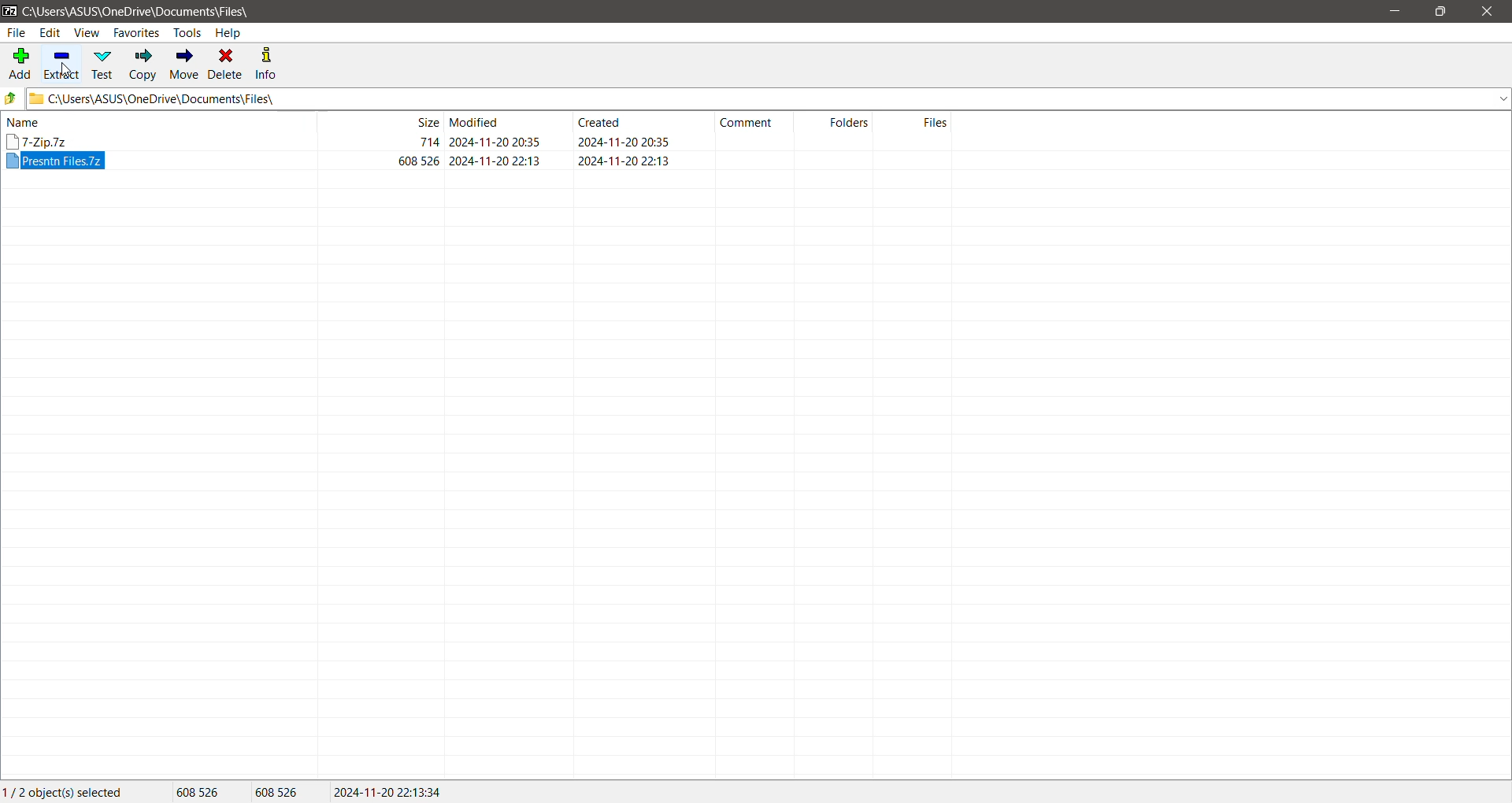 This screenshot has height=803, width=1512. What do you see at coordinates (187, 33) in the screenshot?
I see `Tools` at bounding box center [187, 33].